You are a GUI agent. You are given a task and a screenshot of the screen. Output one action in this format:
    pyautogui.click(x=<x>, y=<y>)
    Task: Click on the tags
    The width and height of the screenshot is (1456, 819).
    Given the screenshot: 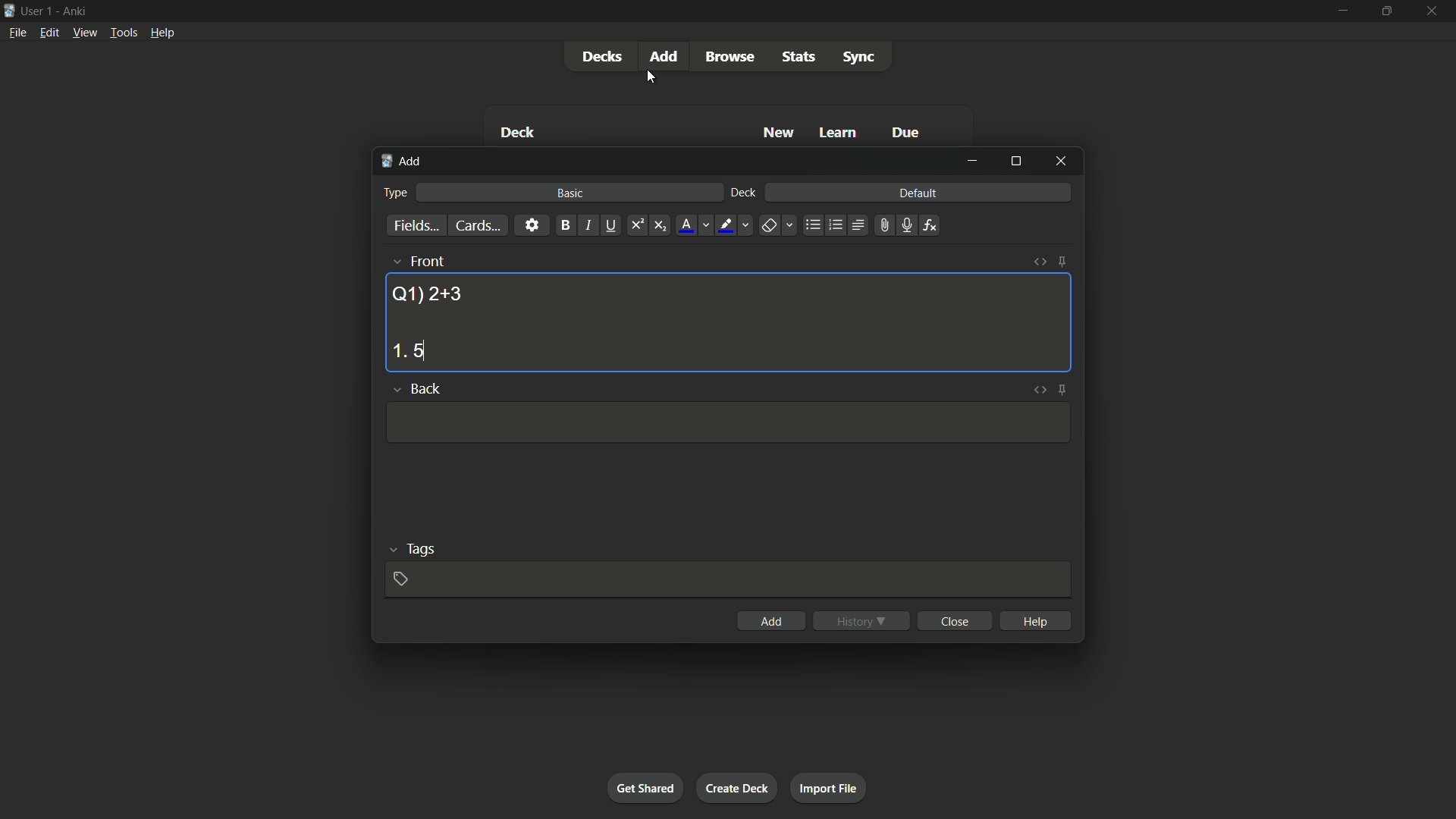 What is the action you would take?
    pyautogui.click(x=422, y=548)
    